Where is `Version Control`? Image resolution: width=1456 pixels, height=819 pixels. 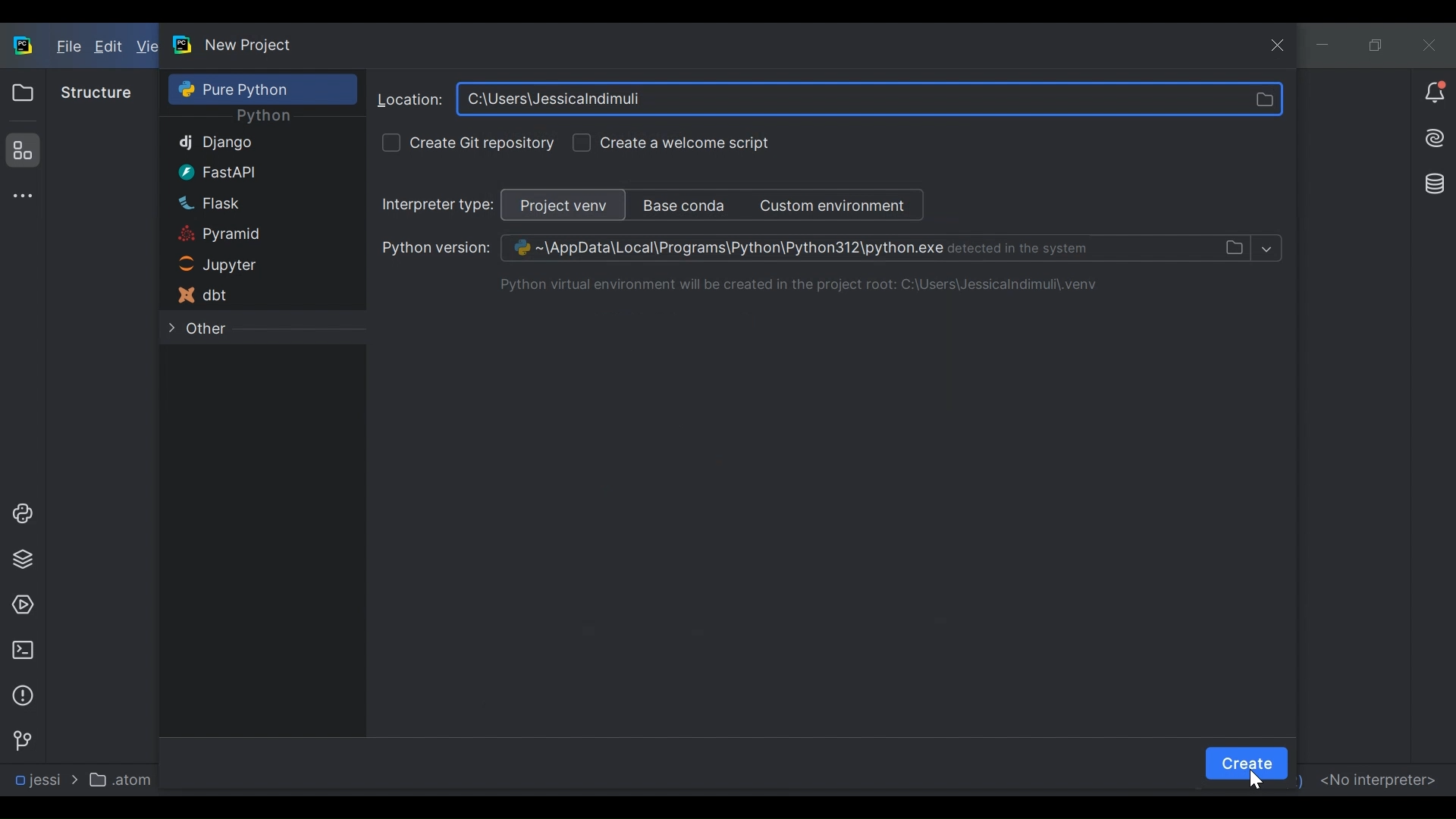 Version Control is located at coordinates (21, 739).